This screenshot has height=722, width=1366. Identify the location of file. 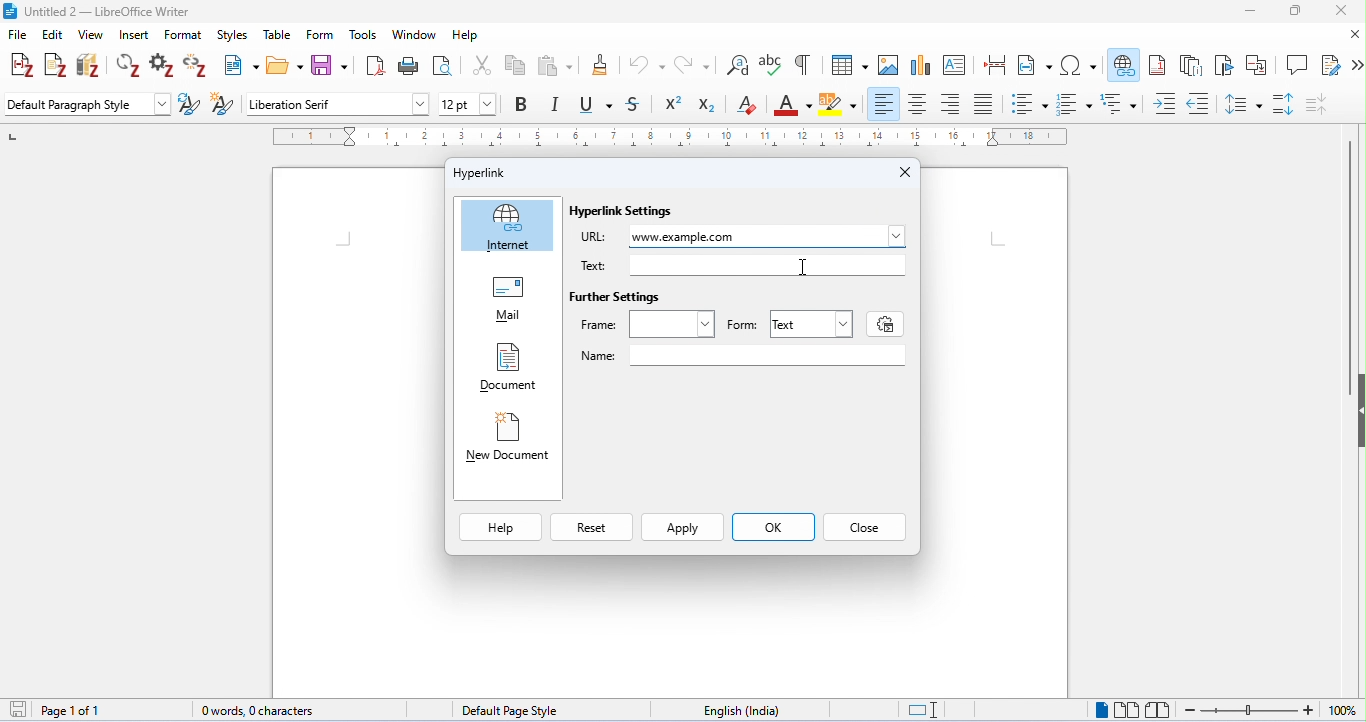
(19, 35).